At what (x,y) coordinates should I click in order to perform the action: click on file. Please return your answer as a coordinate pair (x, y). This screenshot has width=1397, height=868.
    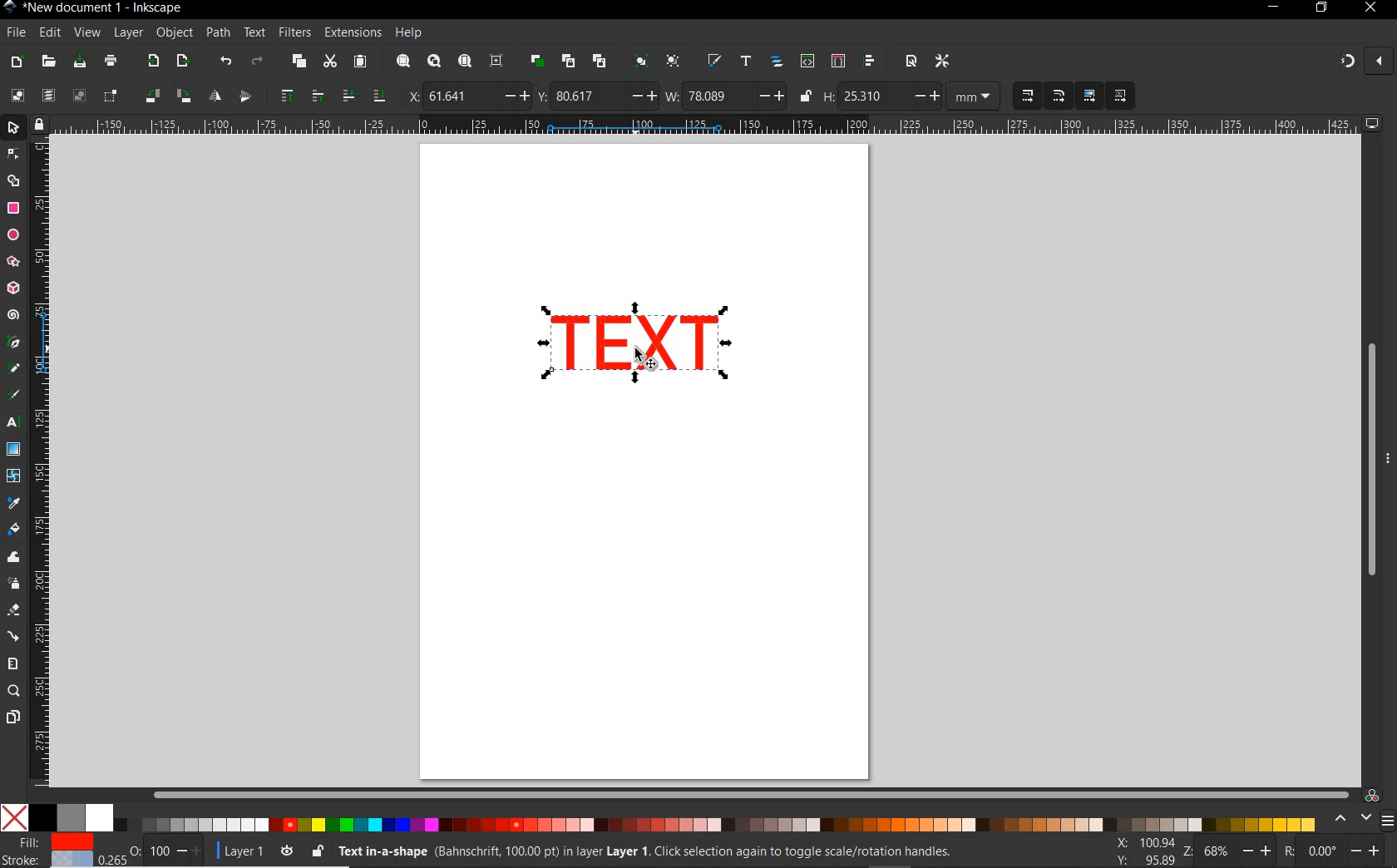
    Looking at the image, I should click on (14, 32).